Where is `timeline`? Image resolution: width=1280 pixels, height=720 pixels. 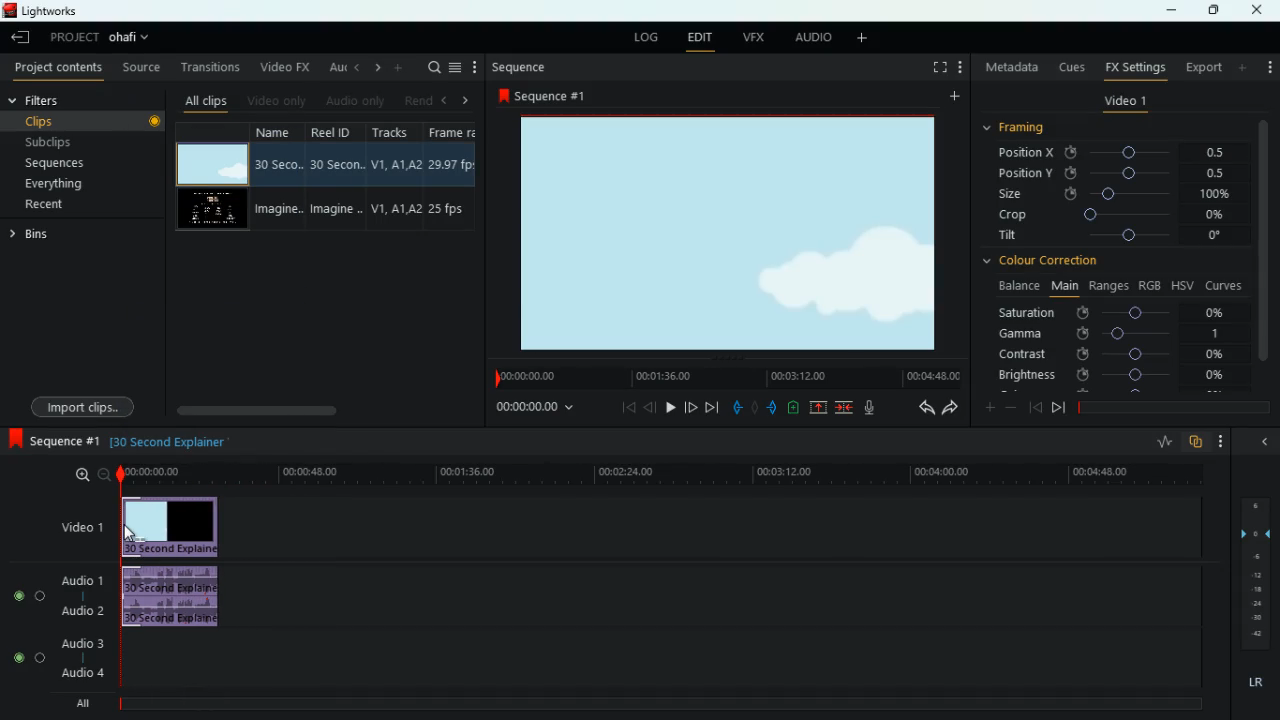
timeline is located at coordinates (1171, 407).